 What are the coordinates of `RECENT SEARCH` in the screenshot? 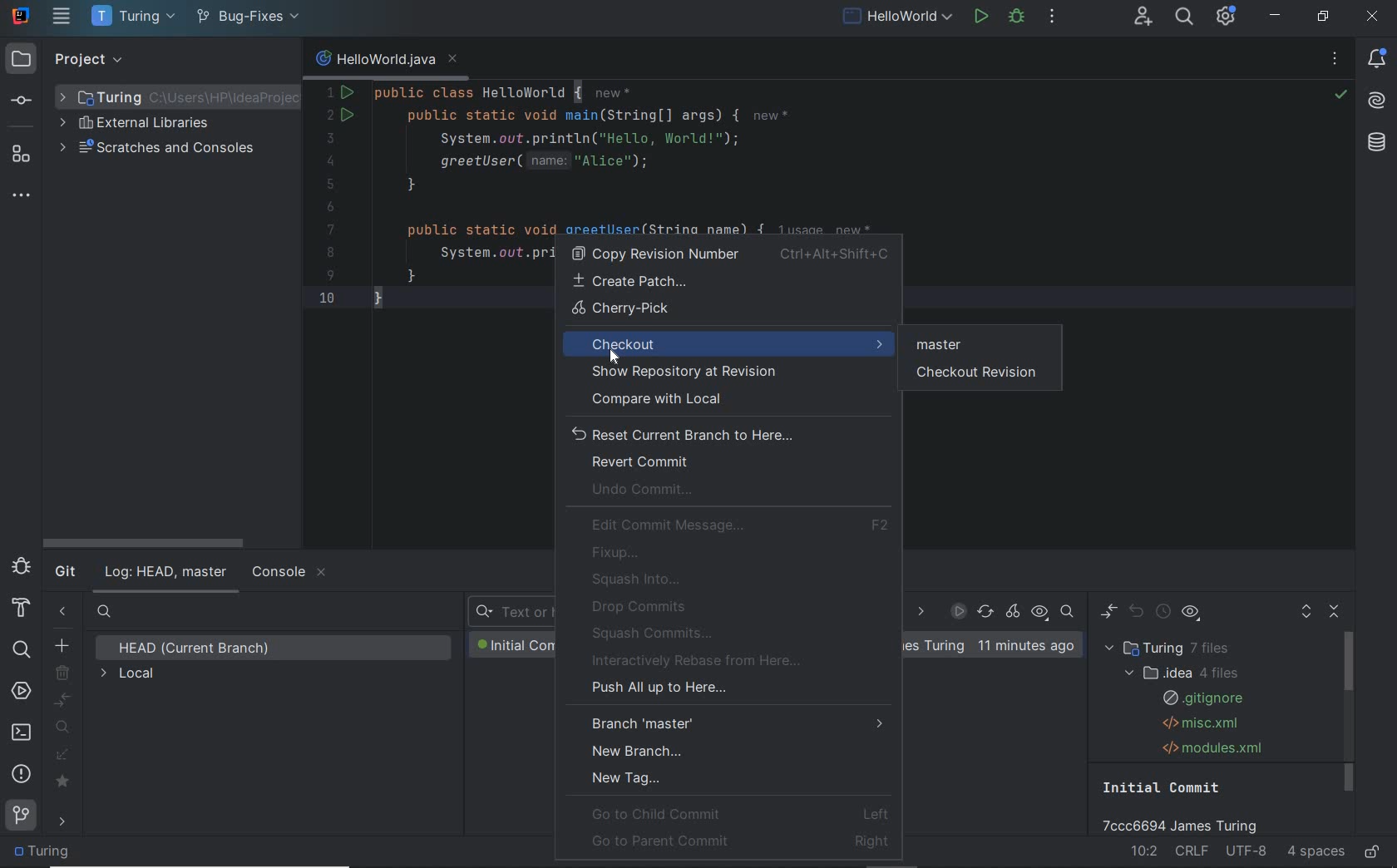 It's located at (510, 613).